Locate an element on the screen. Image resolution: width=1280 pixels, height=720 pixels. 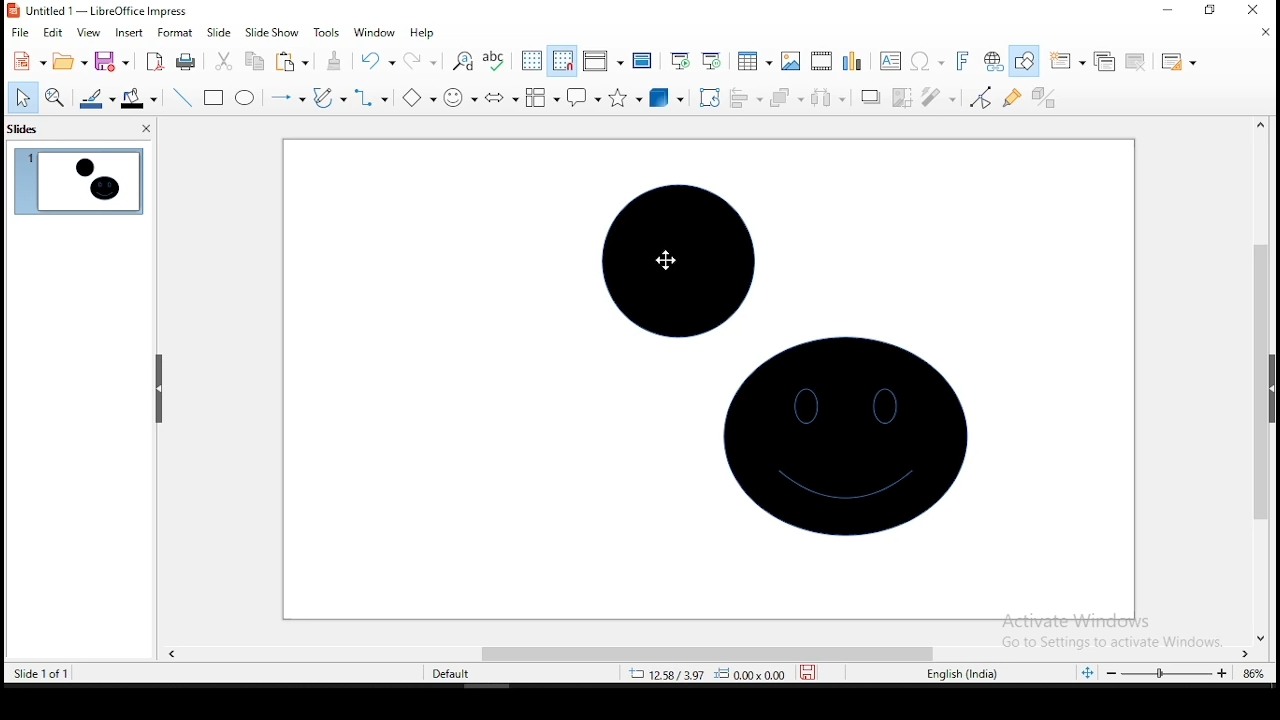
text box is located at coordinates (892, 60).